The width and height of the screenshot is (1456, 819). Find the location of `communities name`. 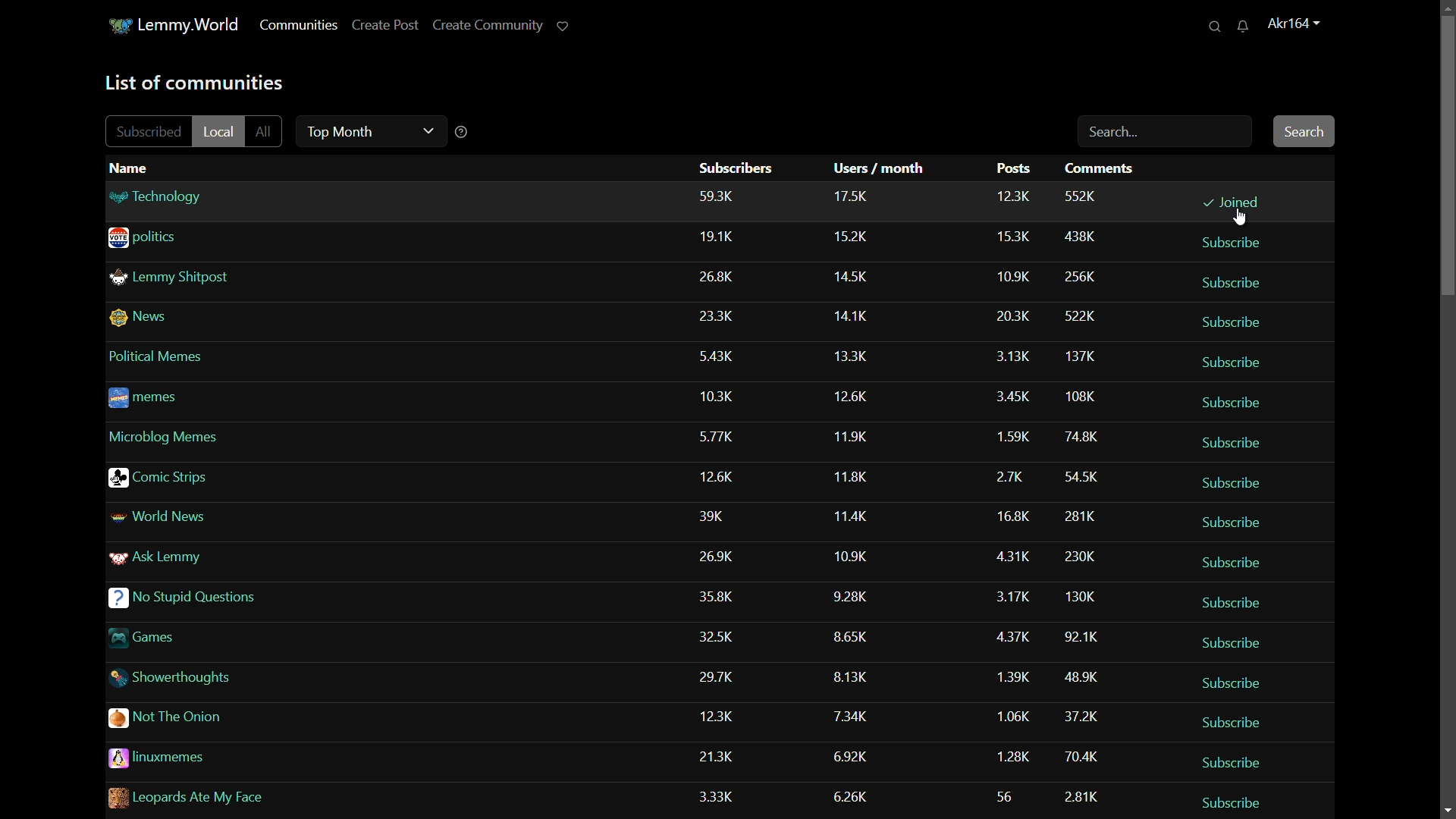

communities name is located at coordinates (239, 359).